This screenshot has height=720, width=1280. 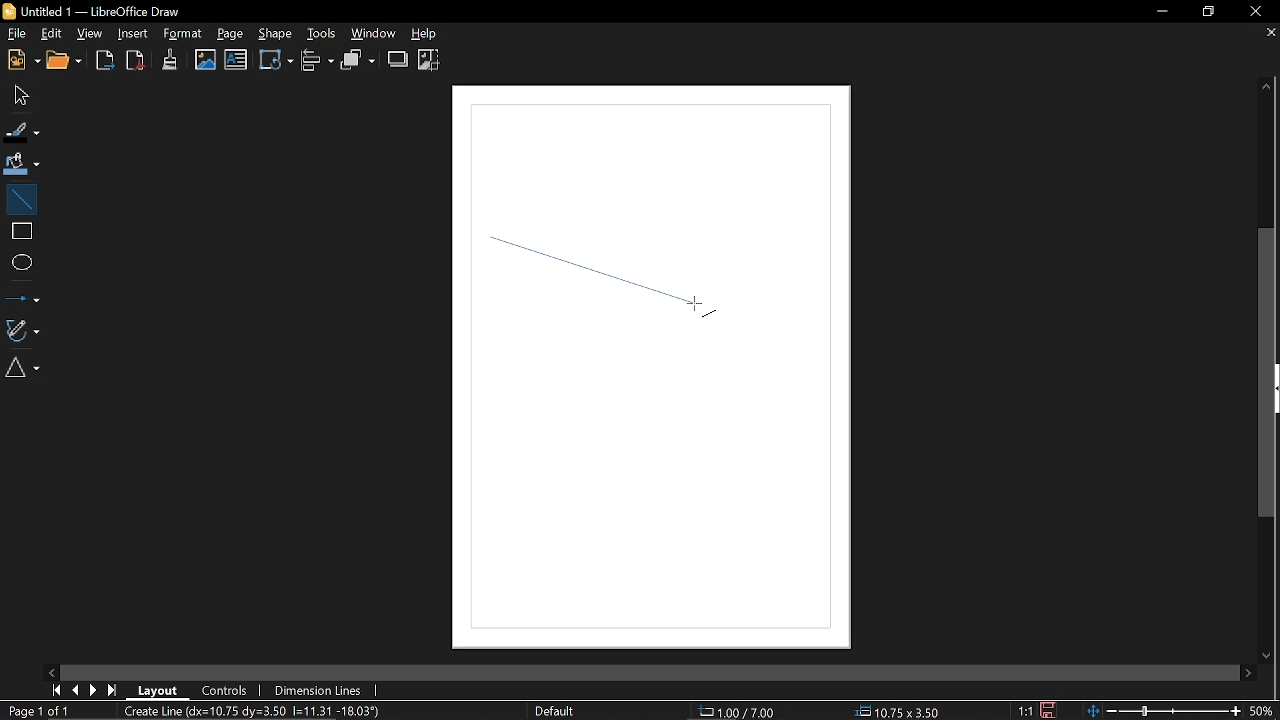 What do you see at coordinates (1264, 711) in the screenshot?
I see `Current zoom` at bounding box center [1264, 711].